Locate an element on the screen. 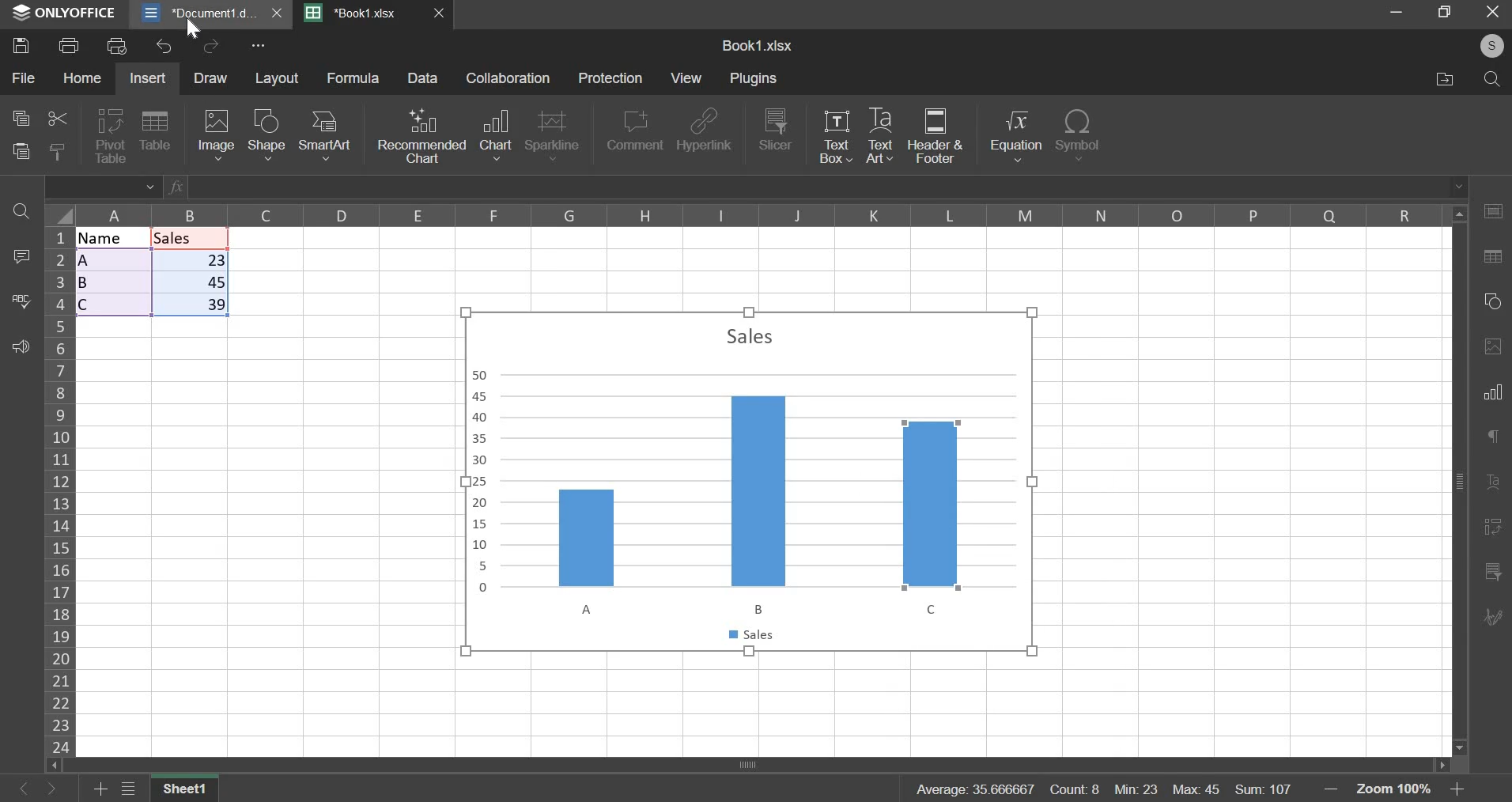  find is located at coordinates (18, 211).